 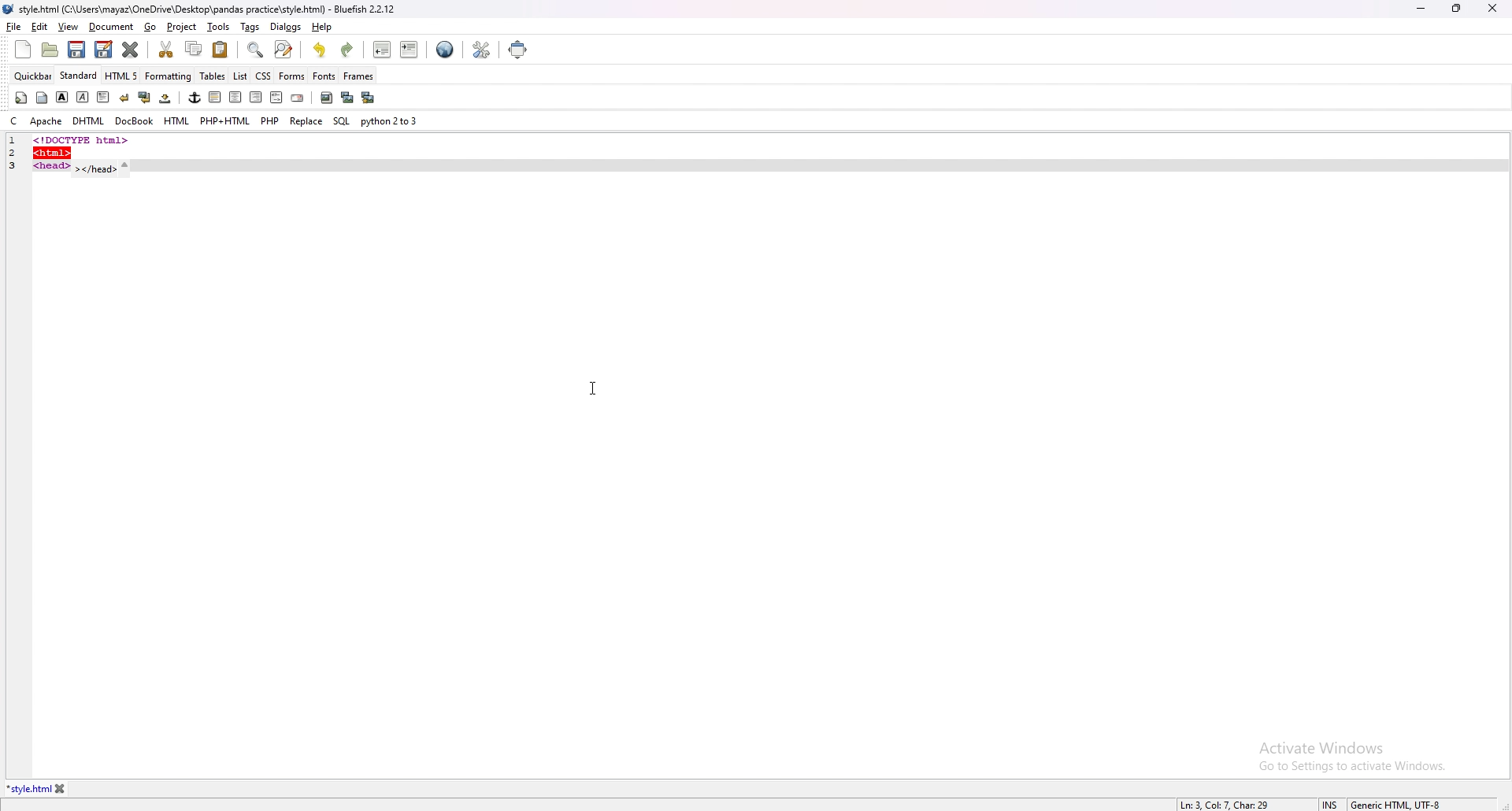 I want to click on quickstart, so click(x=20, y=98).